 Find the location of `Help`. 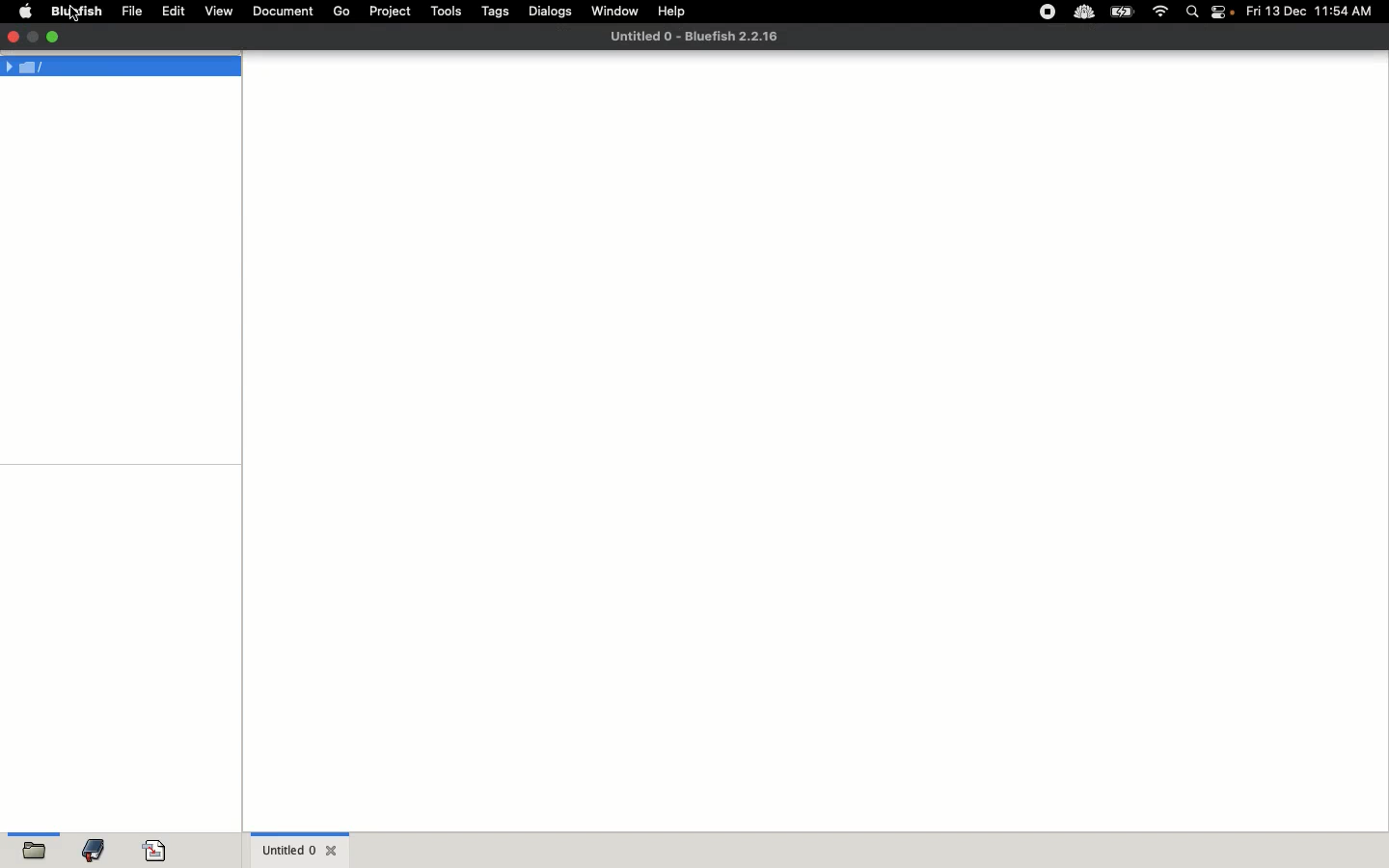

Help is located at coordinates (672, 11).